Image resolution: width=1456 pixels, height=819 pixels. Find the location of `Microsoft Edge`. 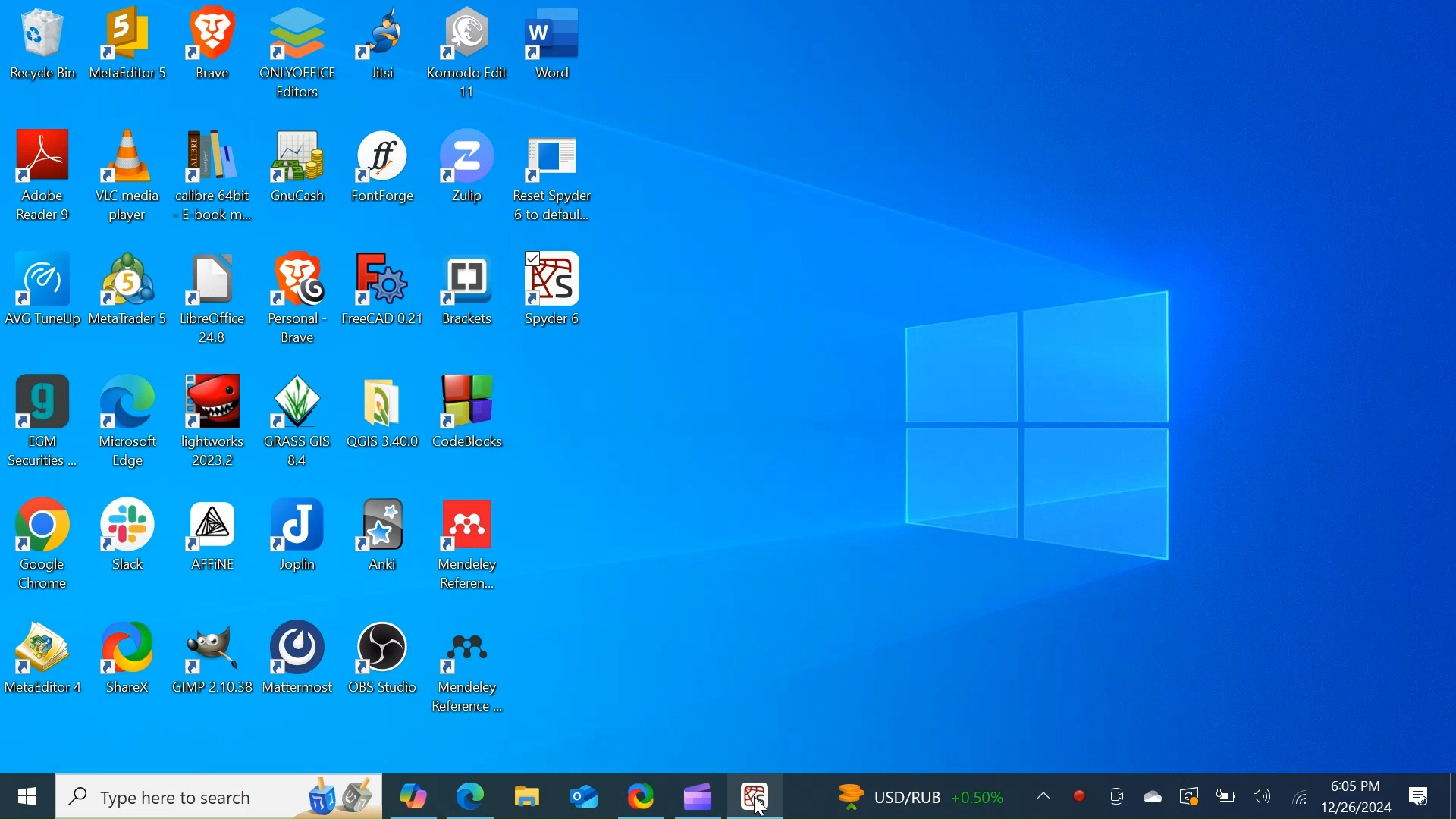

Microsoft Edge is located at coordinates (130, 423).